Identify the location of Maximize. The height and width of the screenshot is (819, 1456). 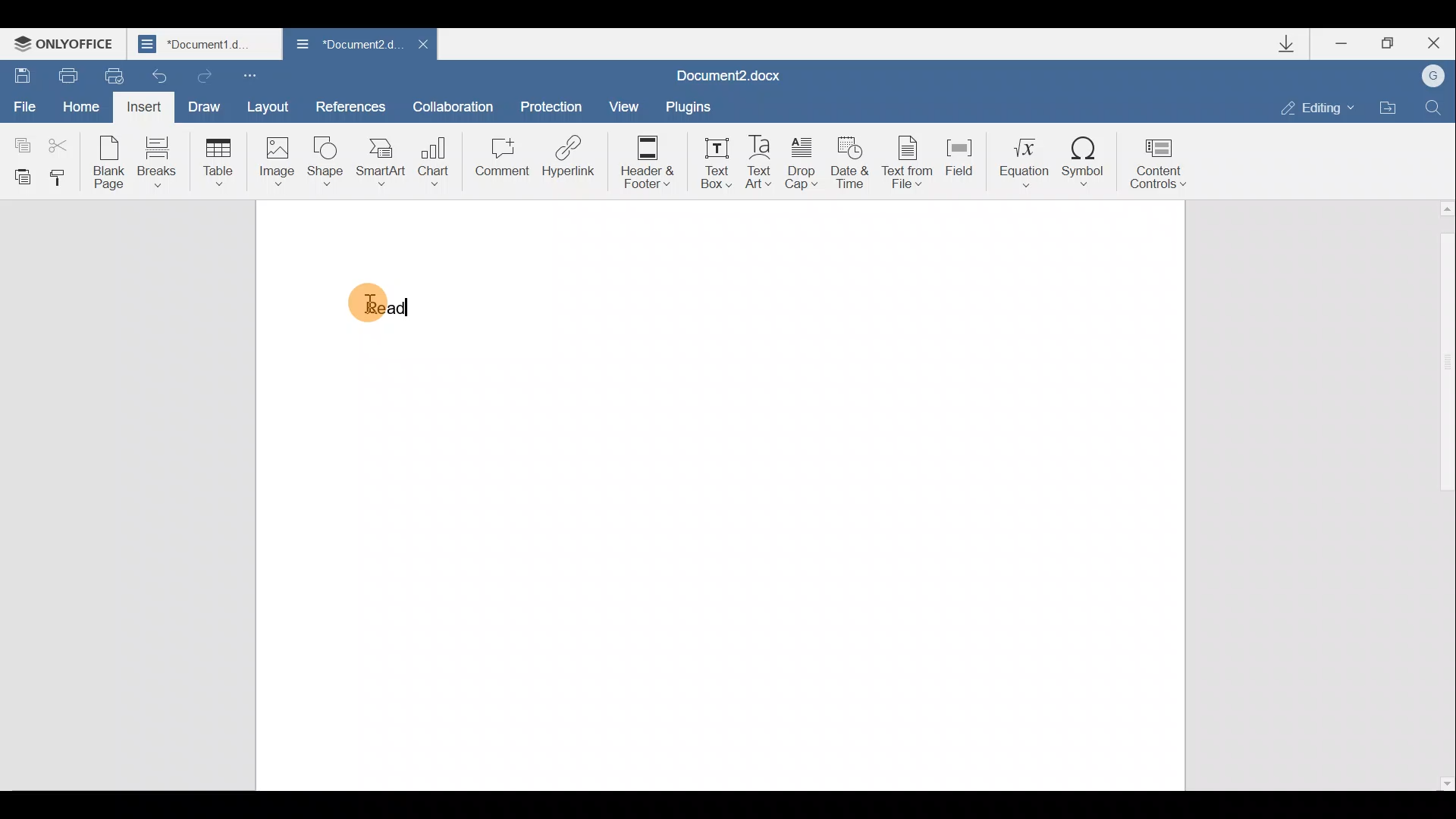
(1394, 42).